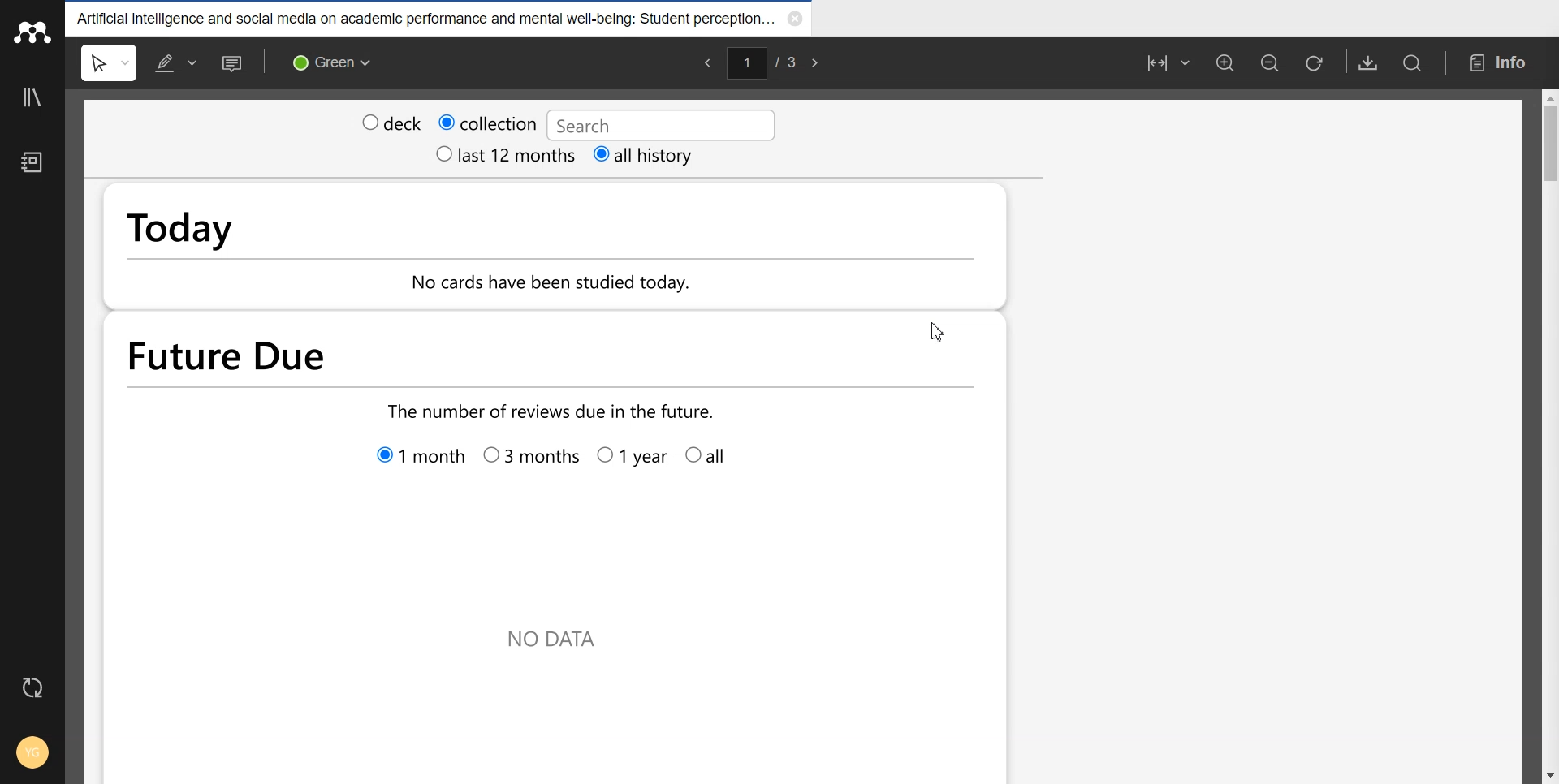 This screenshot has height=784, width=1559. What do you see at coordinates (799, 19) in the screenshot?
I see `close` at bounding box center [799, 19].